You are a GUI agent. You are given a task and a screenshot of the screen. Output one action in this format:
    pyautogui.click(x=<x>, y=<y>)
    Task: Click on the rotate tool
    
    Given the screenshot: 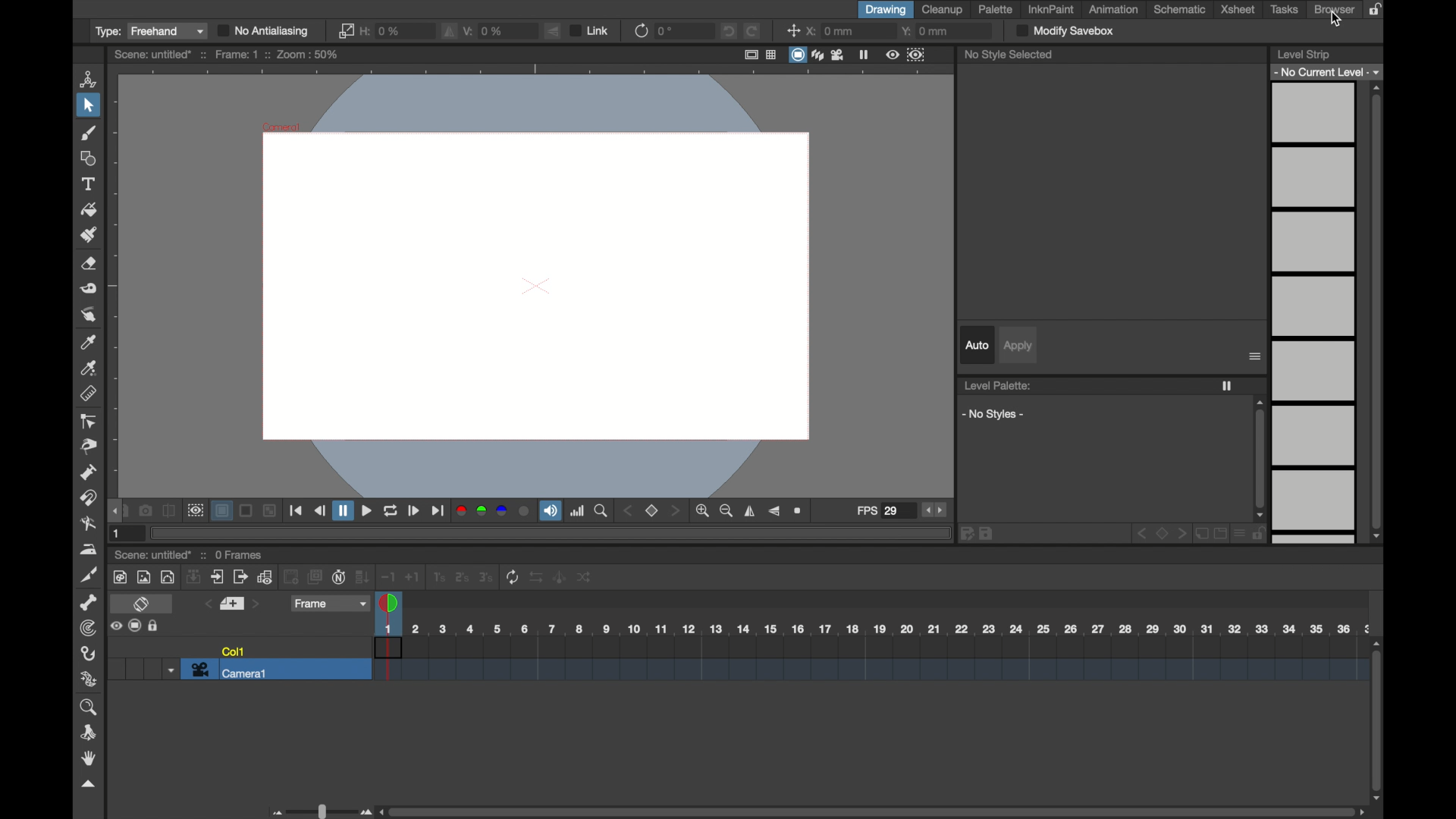 What is the action you would take?
    pyautogui.click(x=91, y=733)
    